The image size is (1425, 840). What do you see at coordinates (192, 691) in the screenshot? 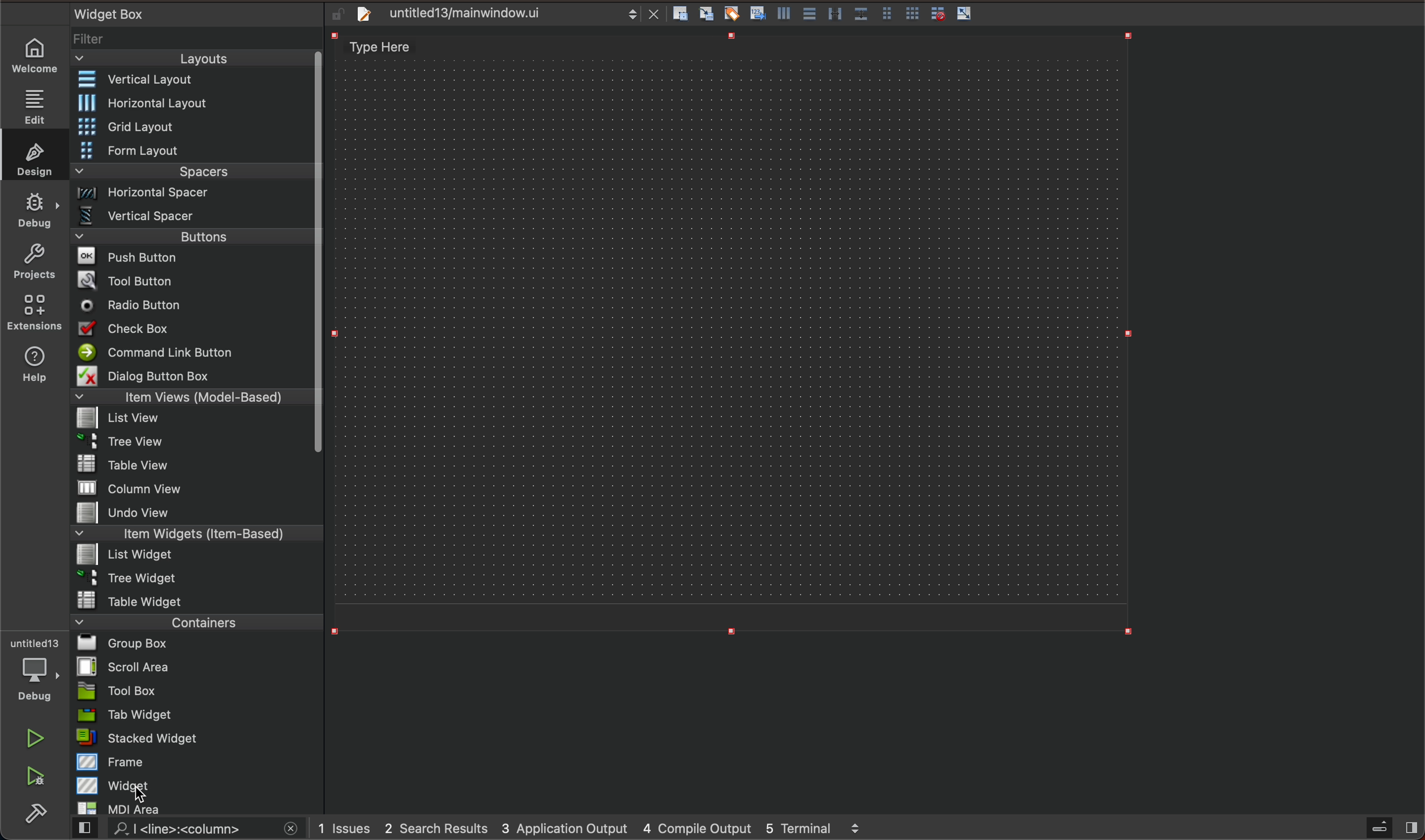
I see `tool box` at bounding box center [192, 691].